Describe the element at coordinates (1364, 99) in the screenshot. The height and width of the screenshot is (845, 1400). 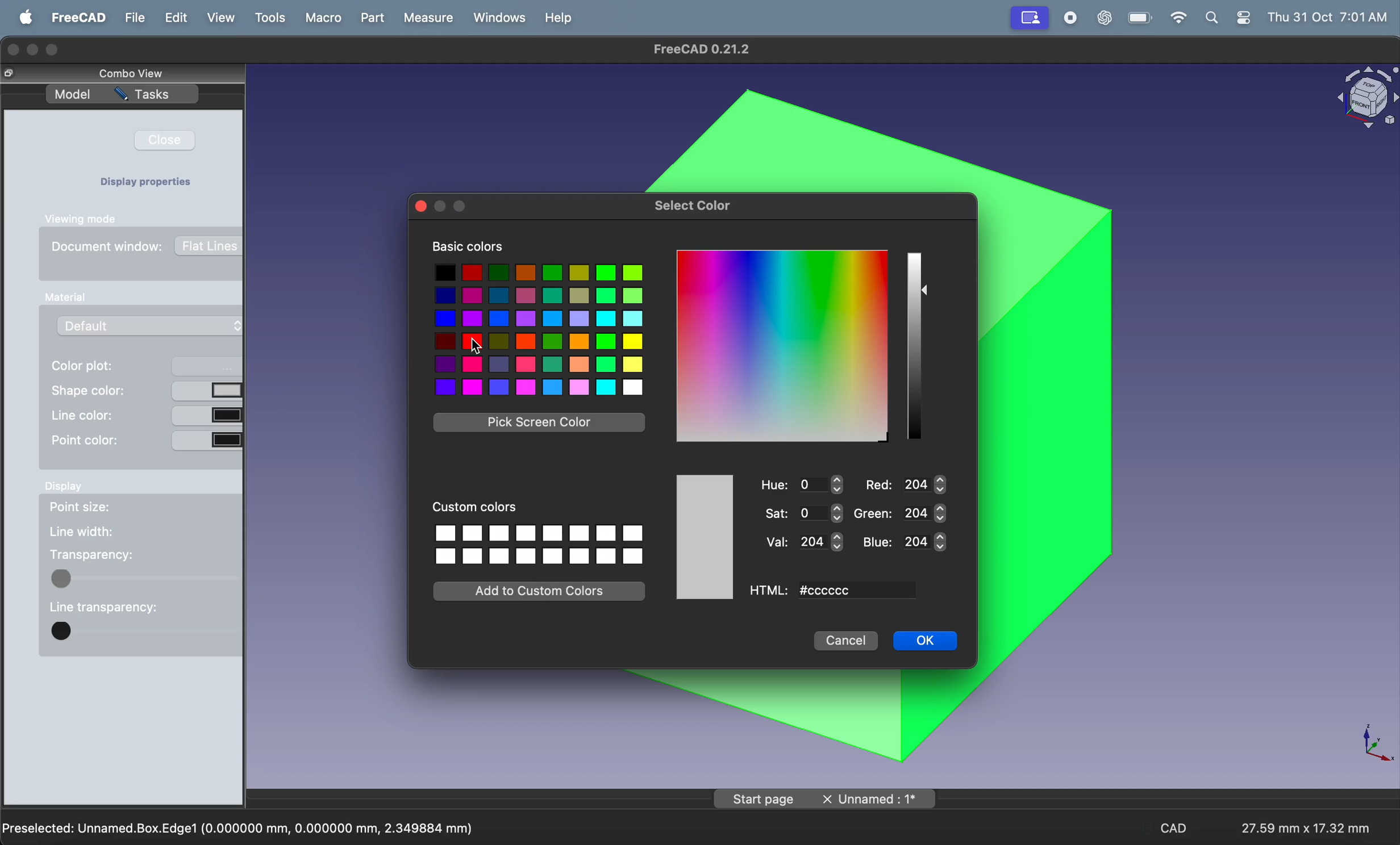
I see `object view` at that location.